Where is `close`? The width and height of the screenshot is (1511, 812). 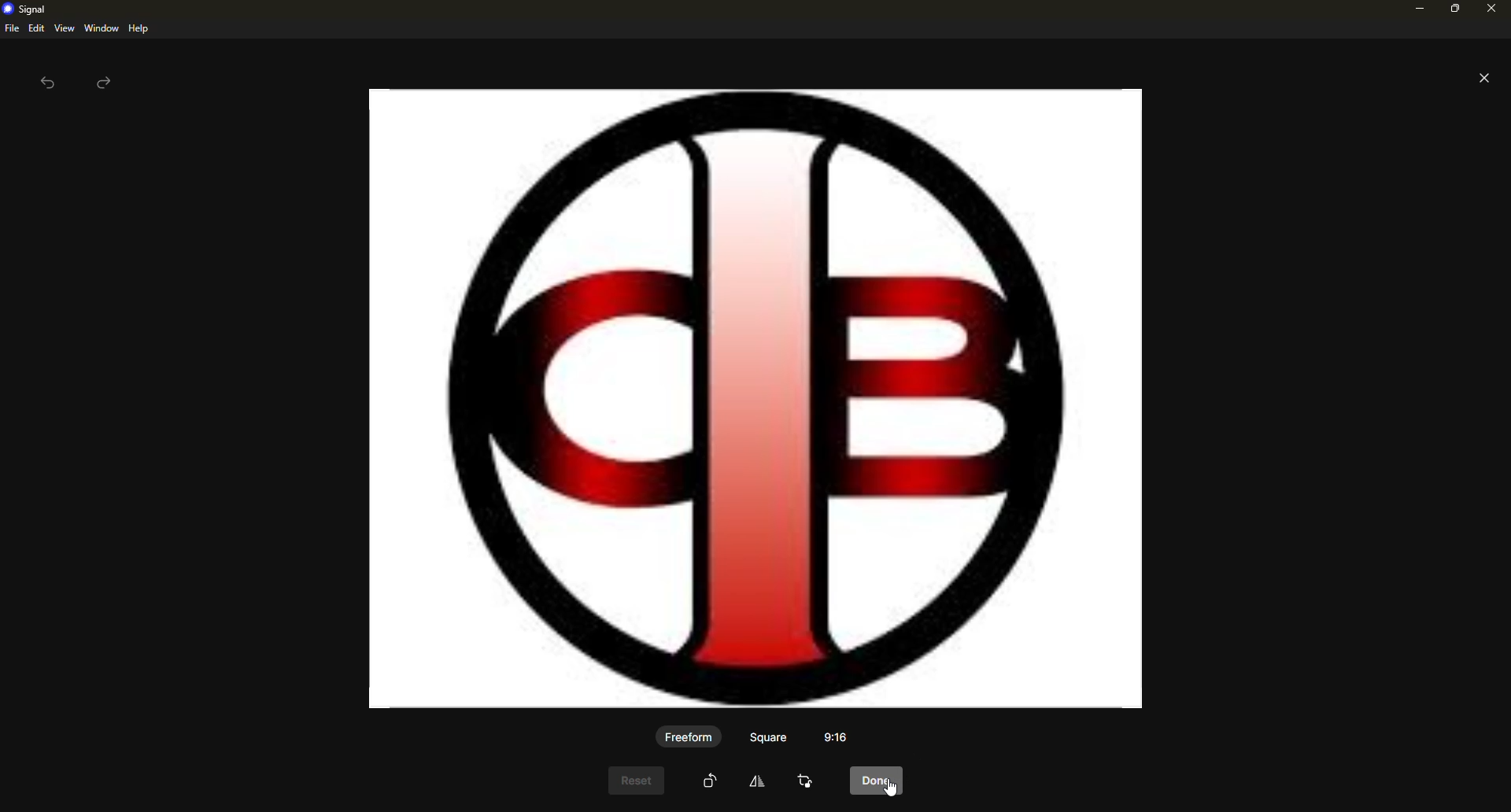 close is located at coordinates (1484, 78).